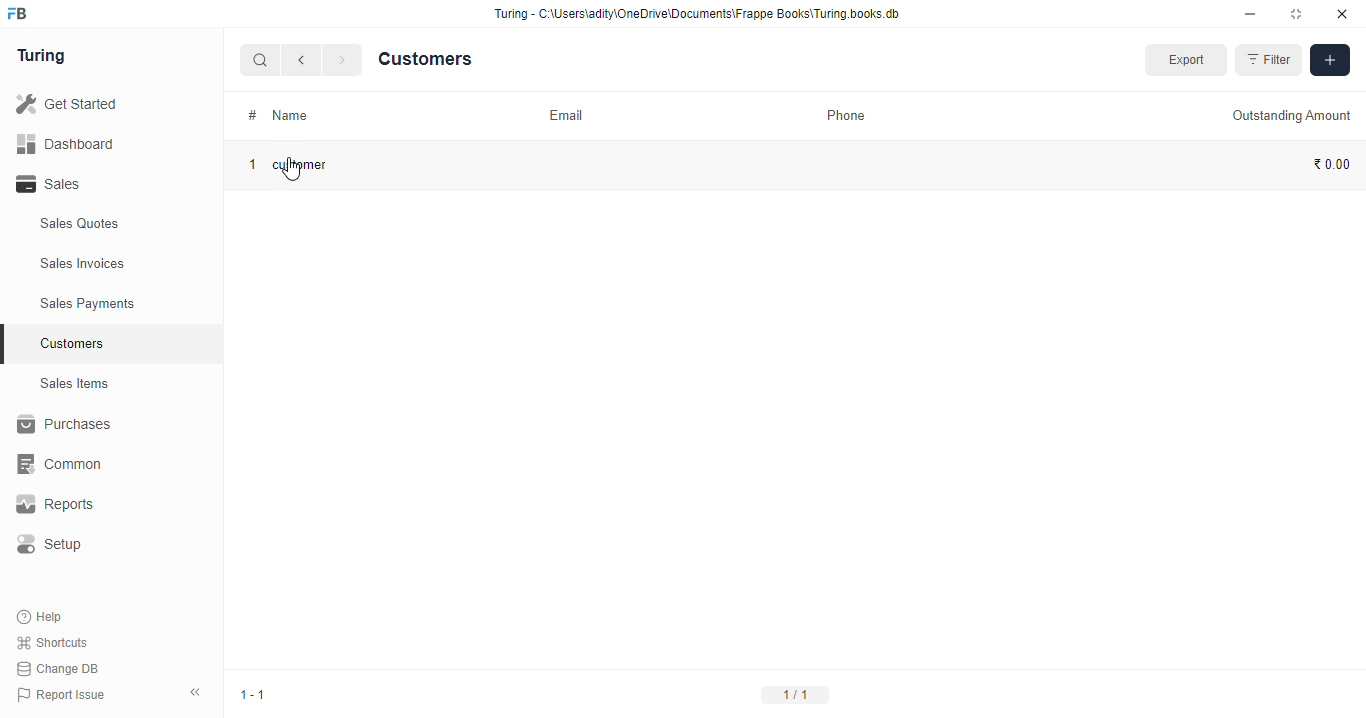 Image resolution: width=1366 pixels, height=718 pixels. Describe the element at coordinates (562, 113) in the screenshot. I see `Email` at that location.